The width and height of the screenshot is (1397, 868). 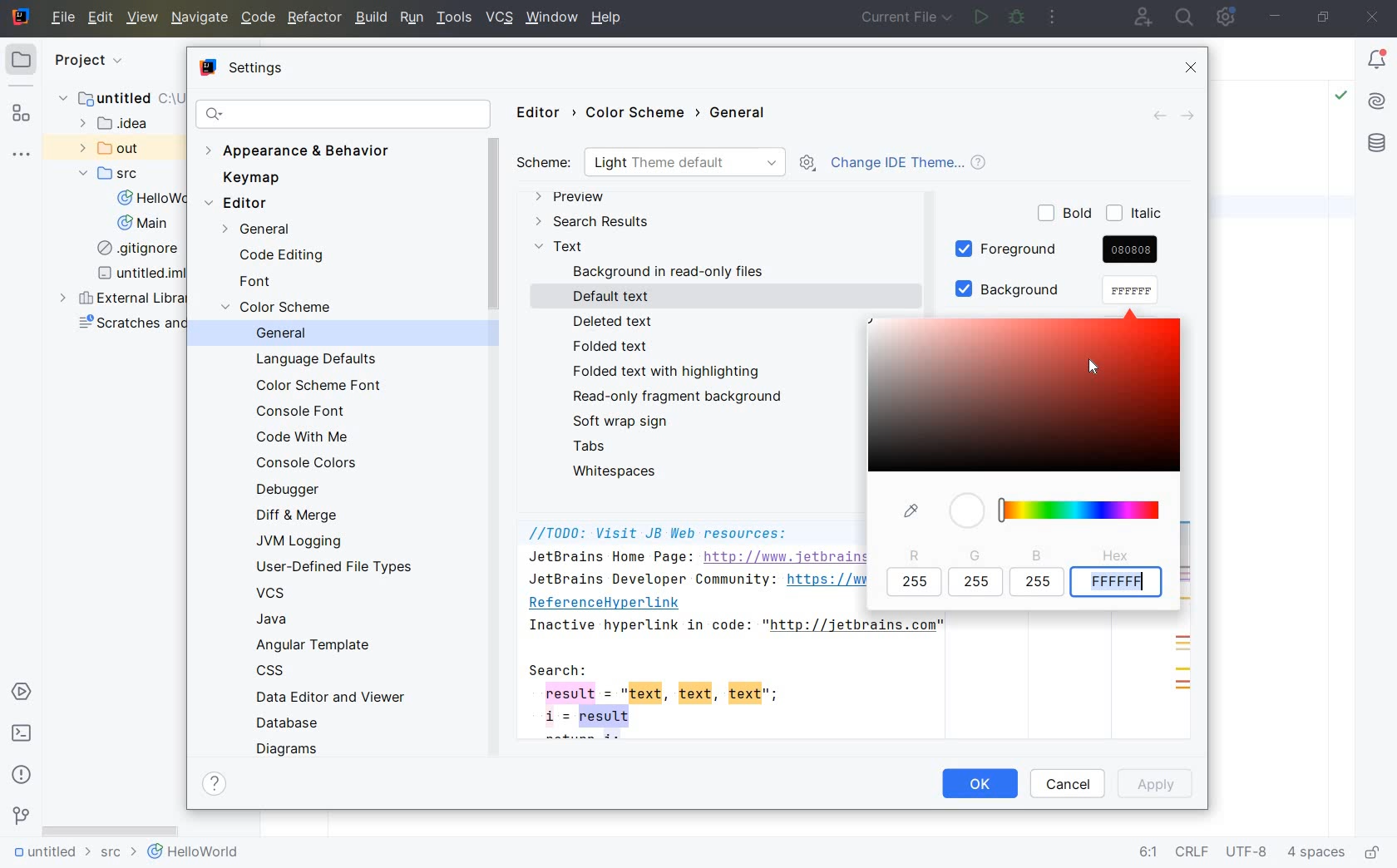 What do you see at coordinates (289, 748) in the screenshot?
I see `DIAGRAMS` at bounding box center [289, 748].